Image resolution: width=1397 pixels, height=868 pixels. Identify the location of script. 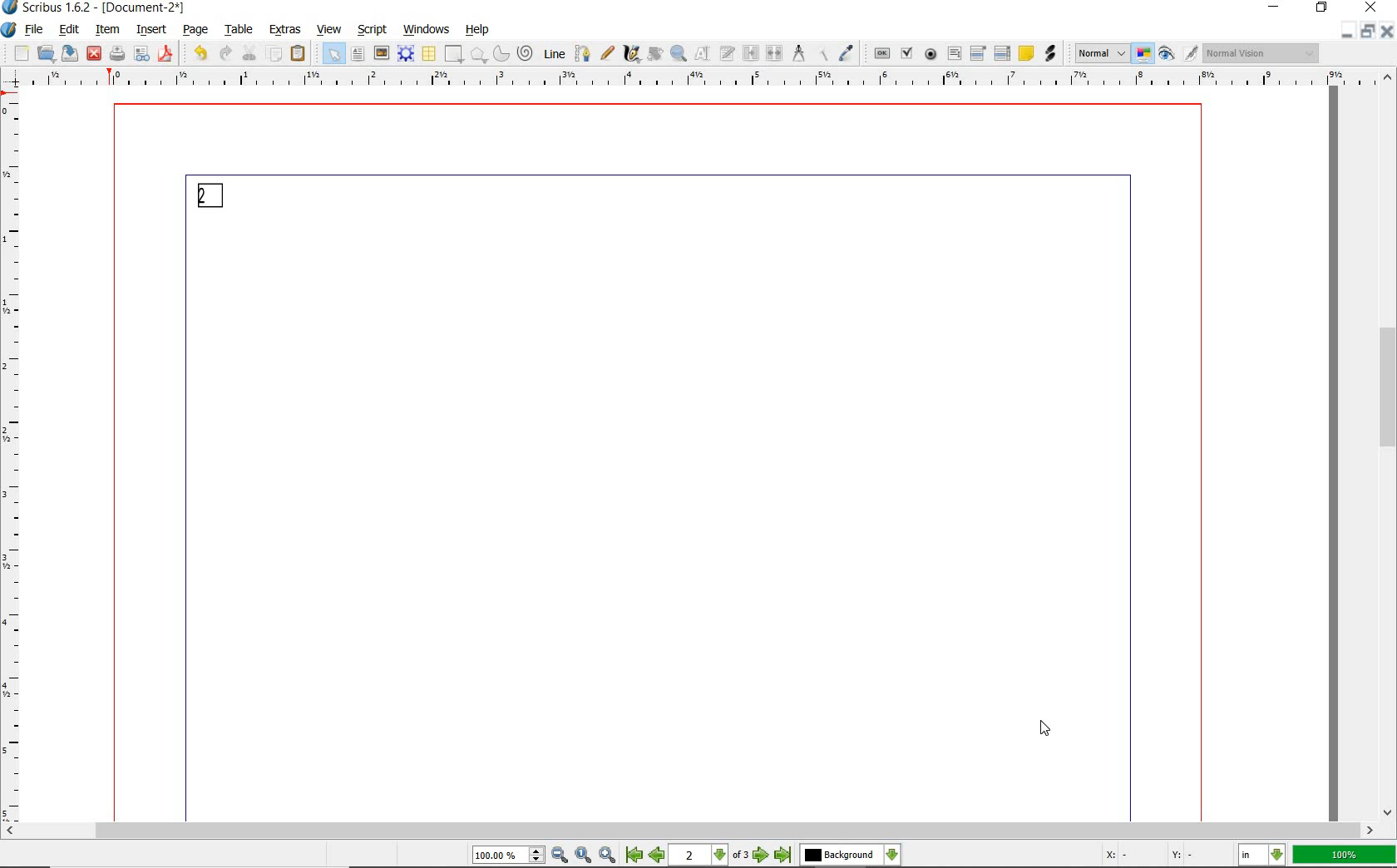
(374, 29).